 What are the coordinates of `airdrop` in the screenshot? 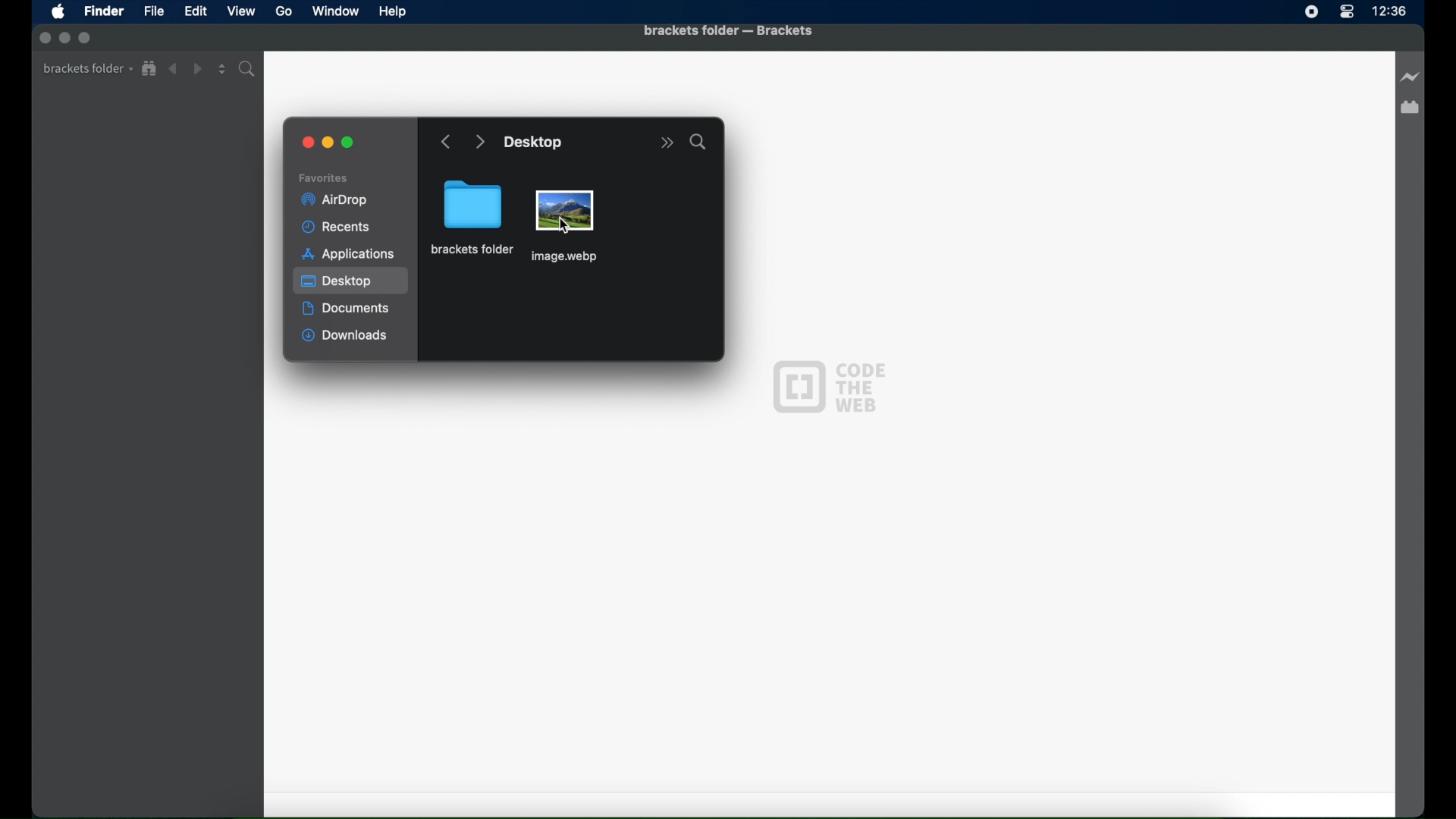 It's located at (334, 200).